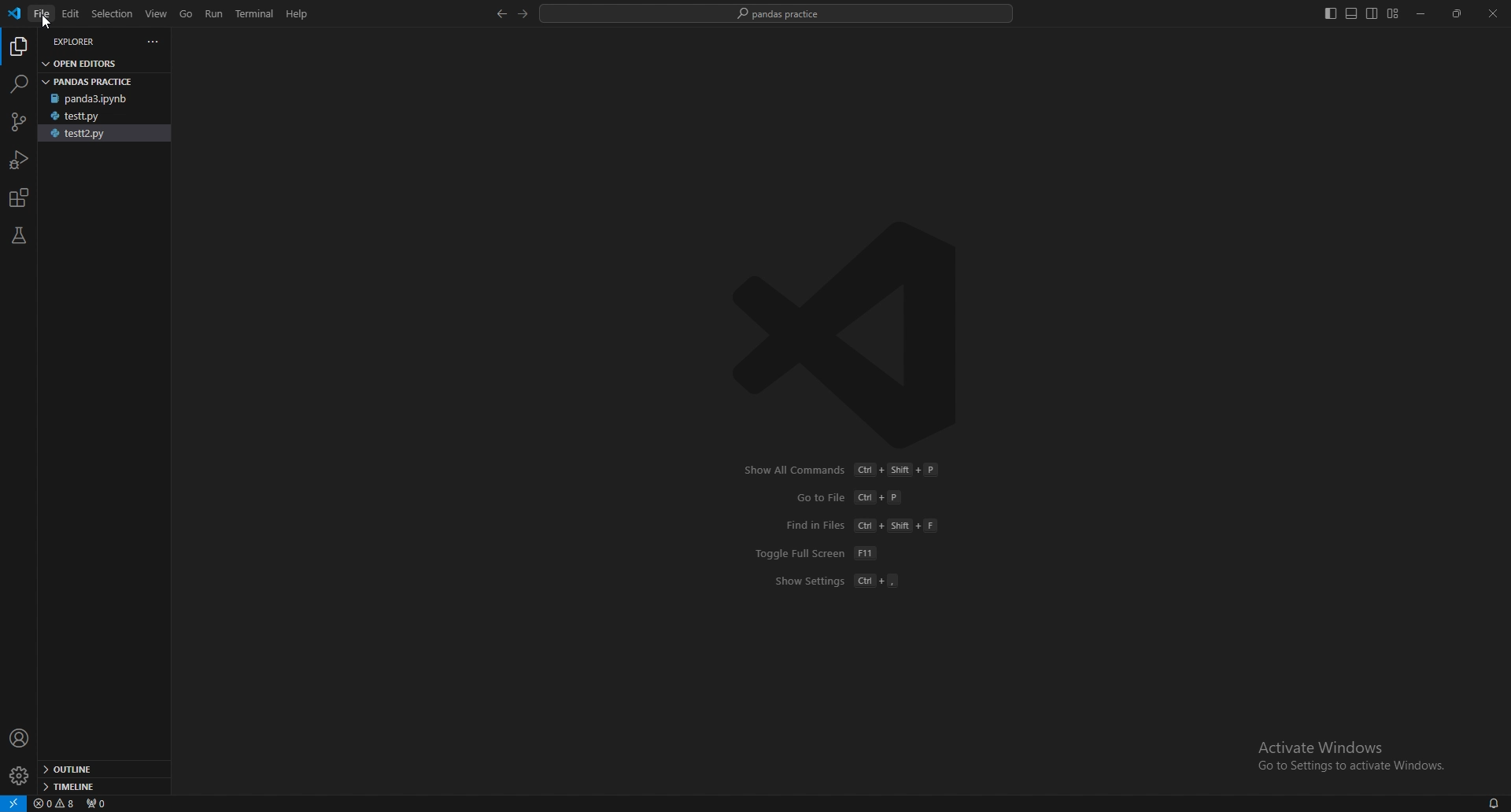 The height and width of the screenshot is (812, 1511). I want to click on customize layout, so click(1392, 14).